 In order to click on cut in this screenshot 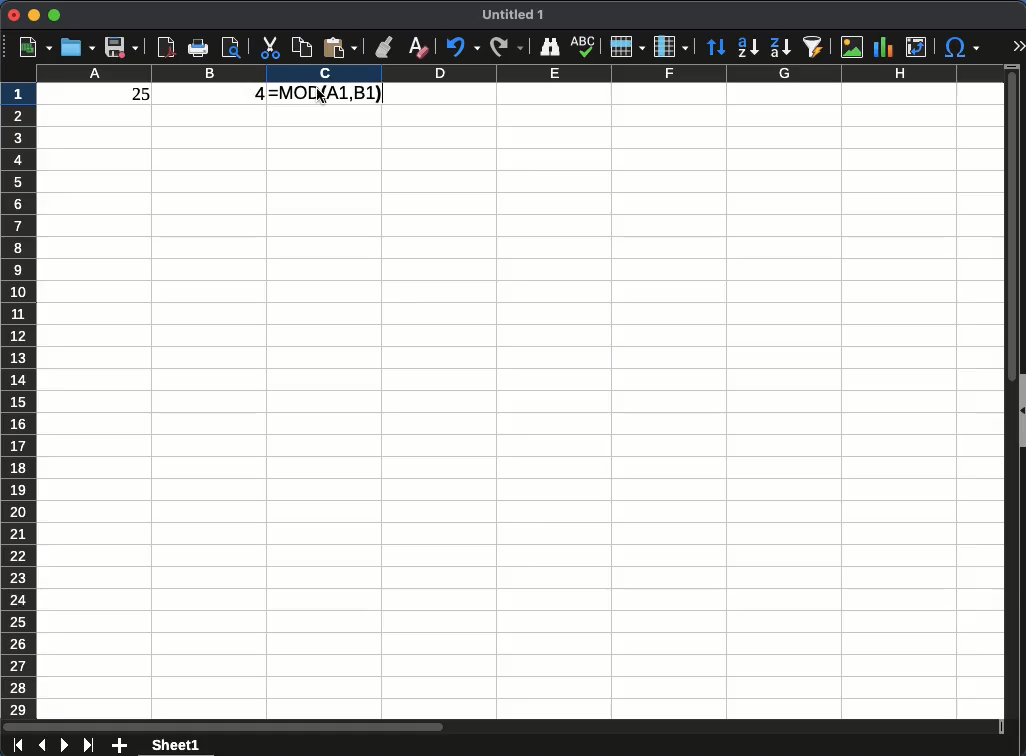, I will do `click(269, 49)`.